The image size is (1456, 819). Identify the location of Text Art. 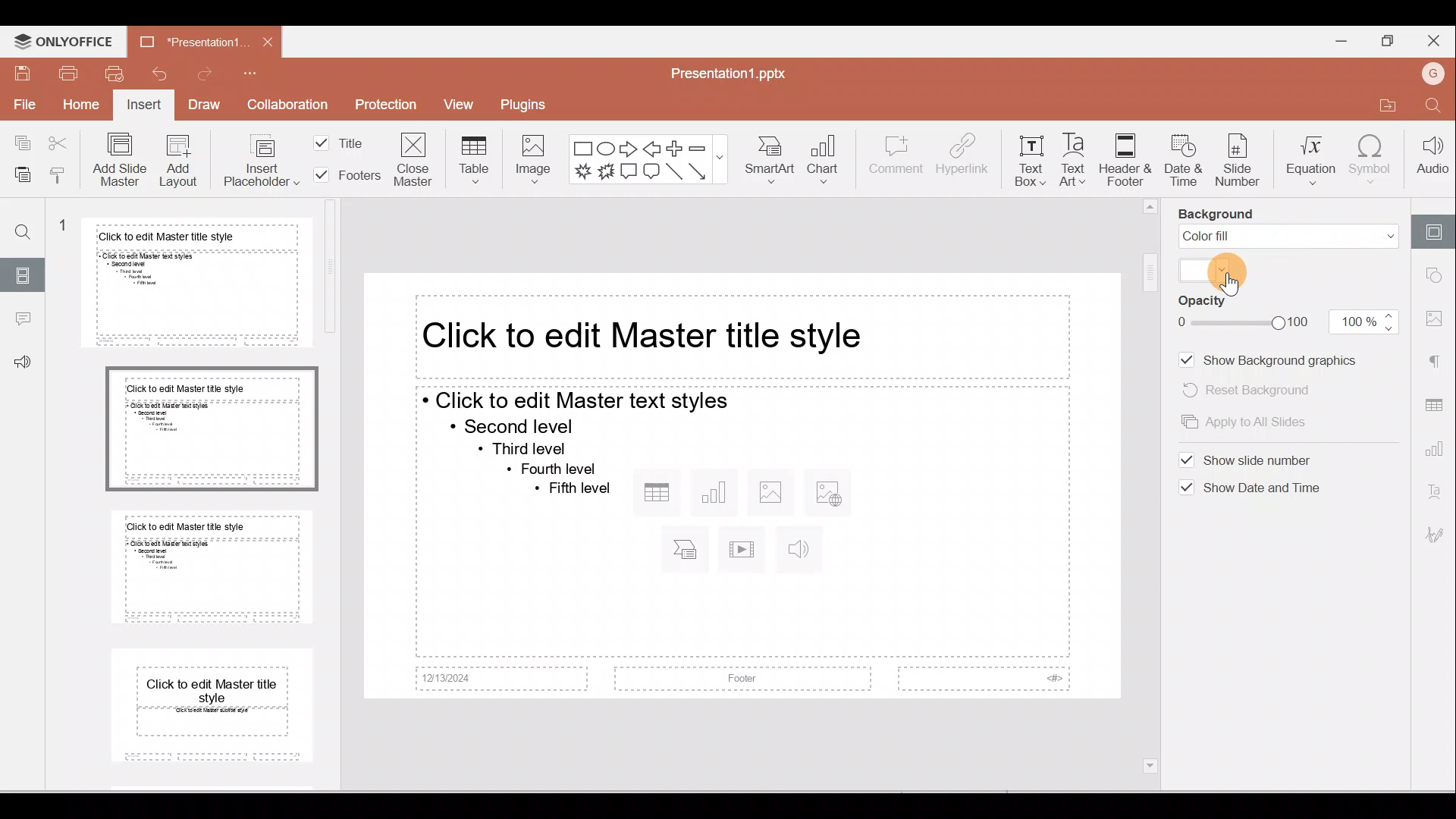
(1072, 160).